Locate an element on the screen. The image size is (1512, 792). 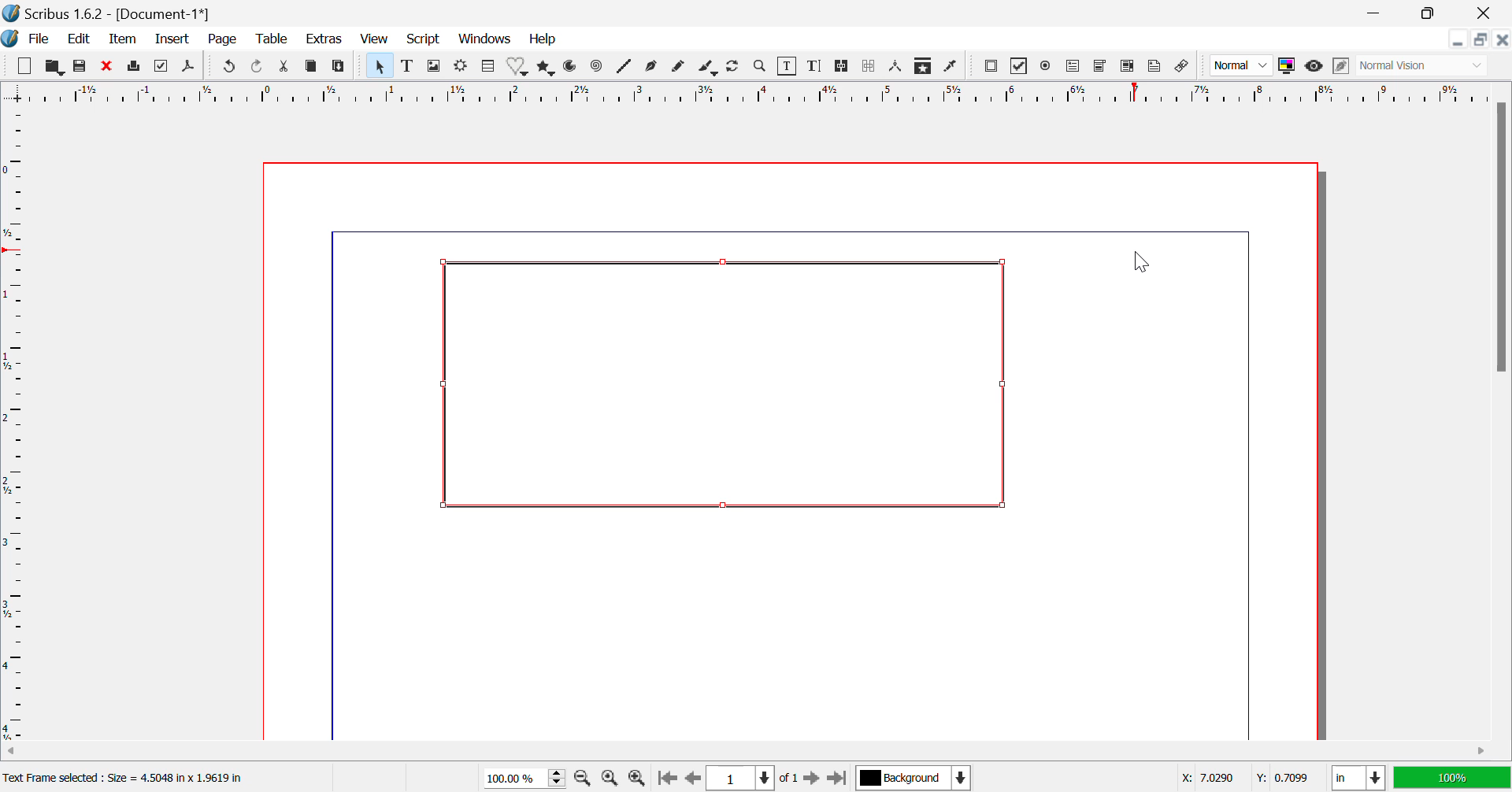
Pdf Push button is located at coordinates (991, 68).